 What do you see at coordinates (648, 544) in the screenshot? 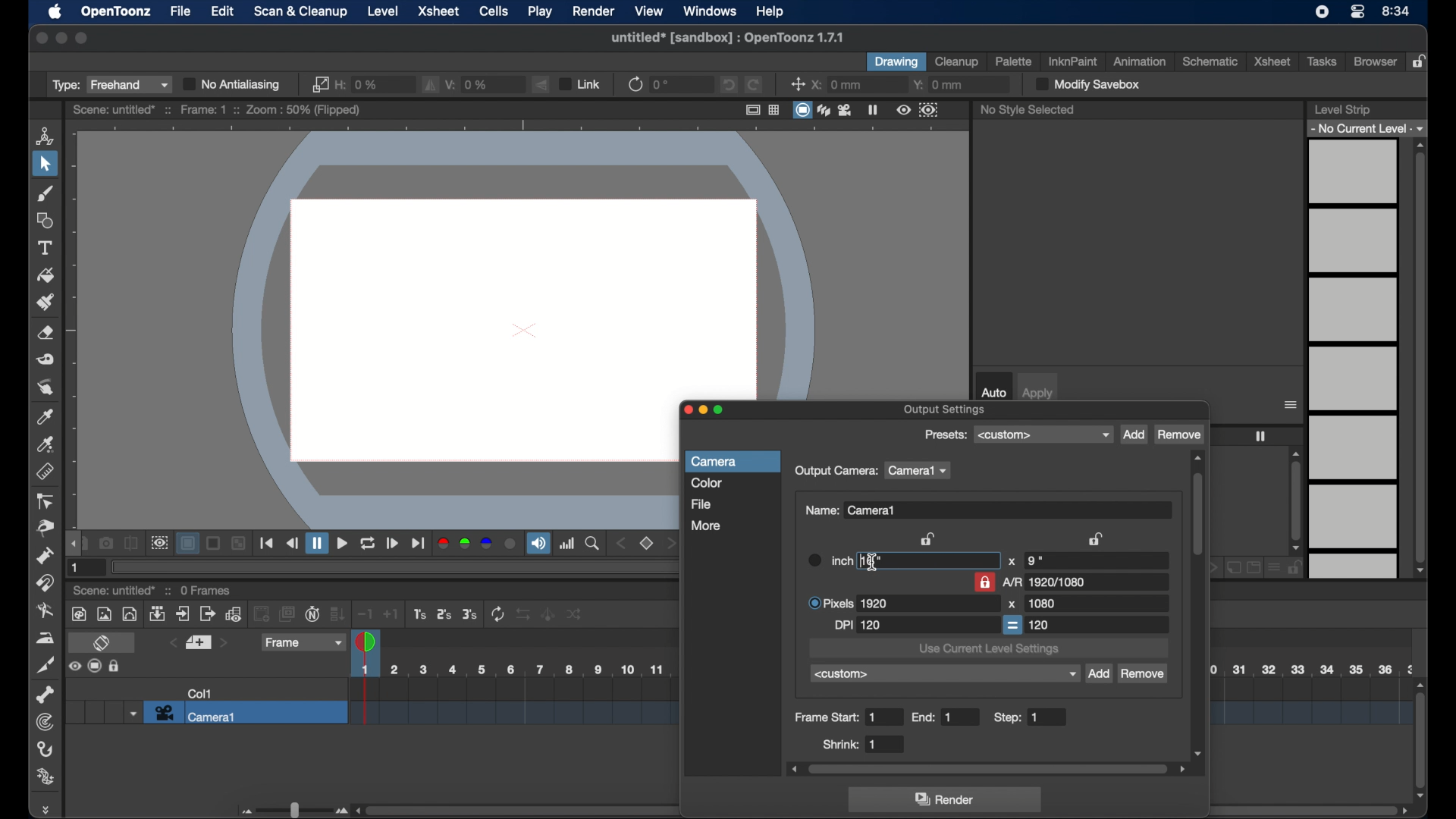
I see `set` at bounding box center [648, 544].